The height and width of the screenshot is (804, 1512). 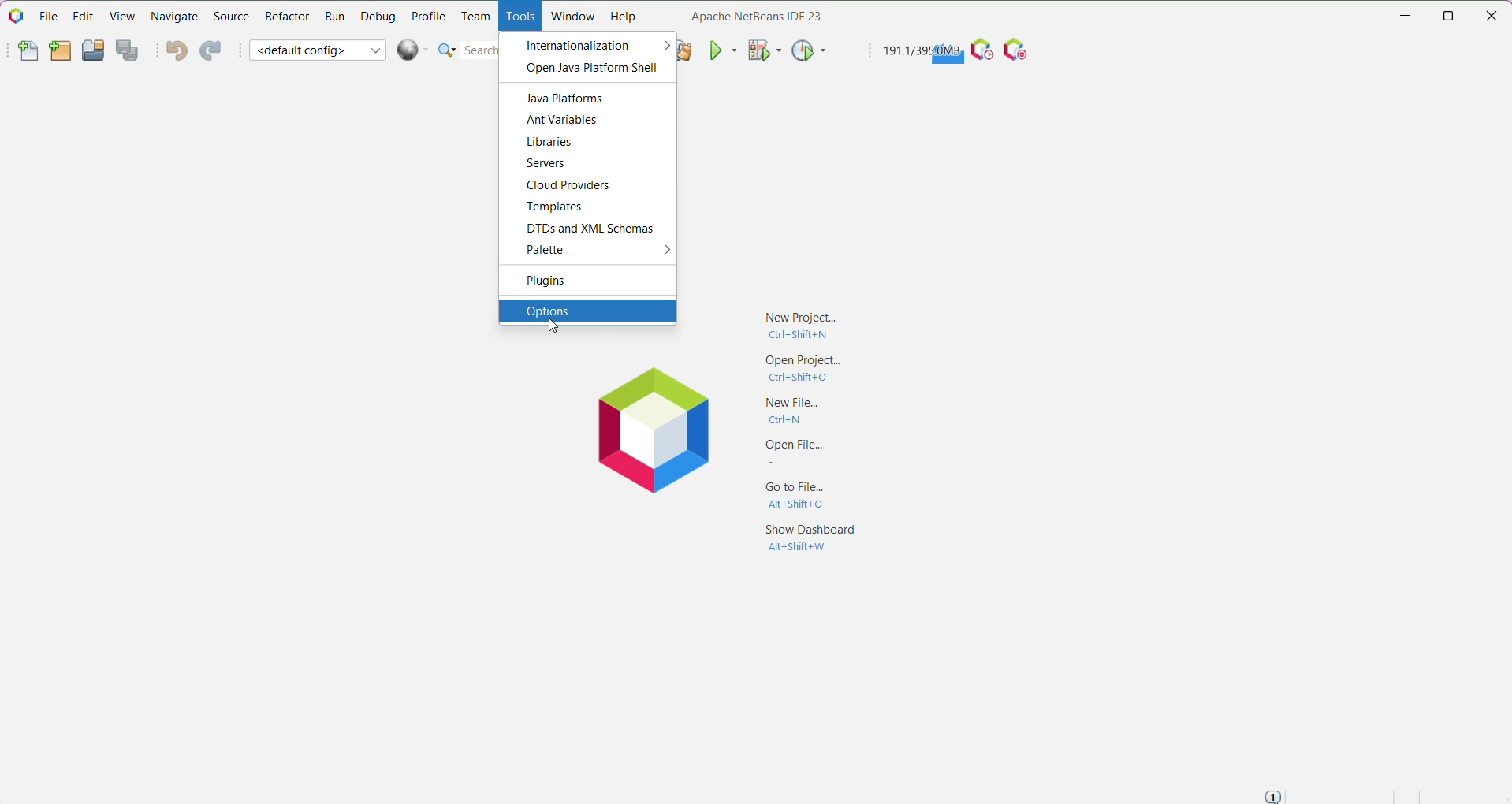 I want to click on Source, so click(x=230, y=17).